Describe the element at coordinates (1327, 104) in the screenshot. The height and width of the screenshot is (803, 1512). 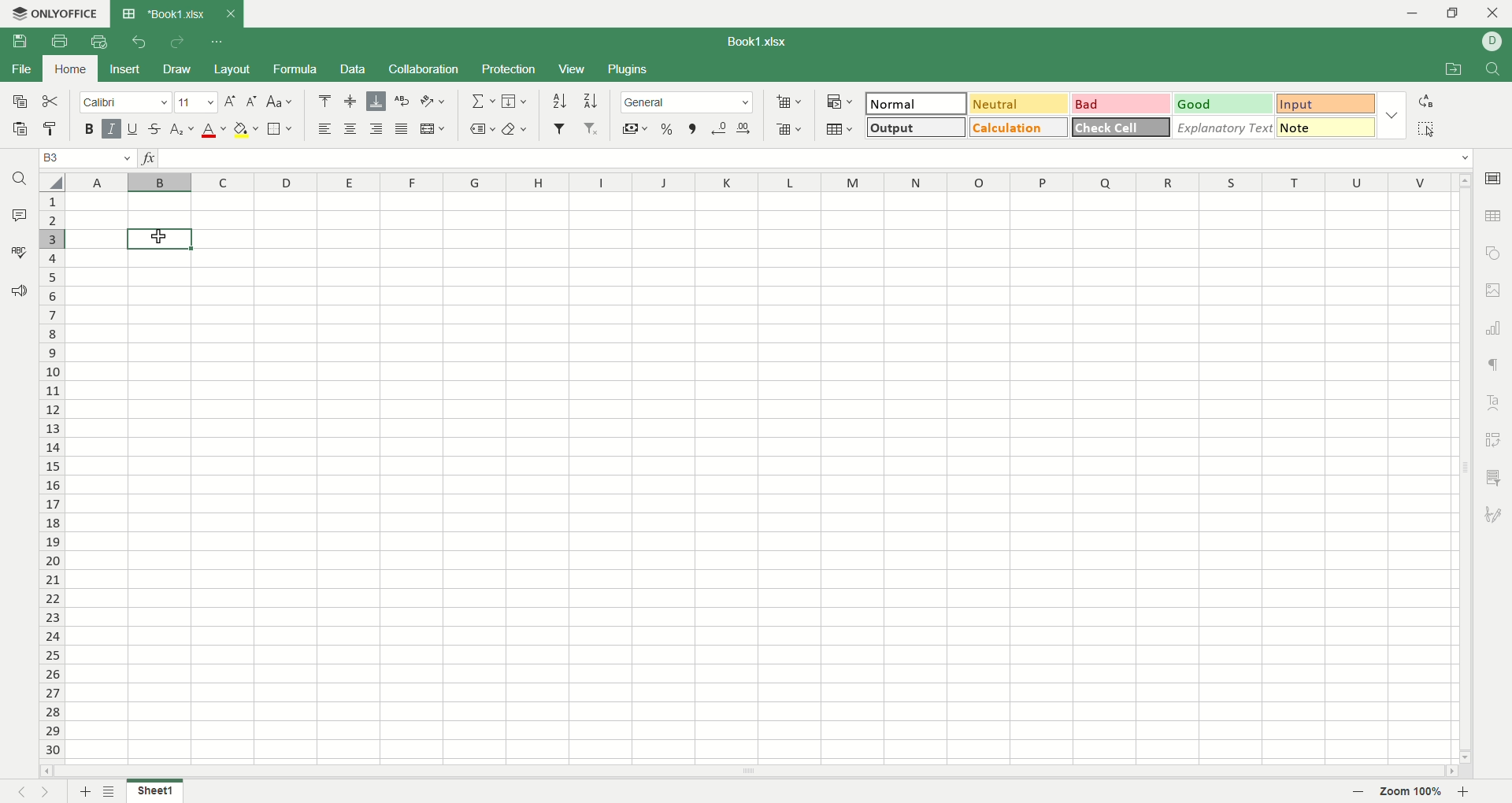
I see `input` at that location.